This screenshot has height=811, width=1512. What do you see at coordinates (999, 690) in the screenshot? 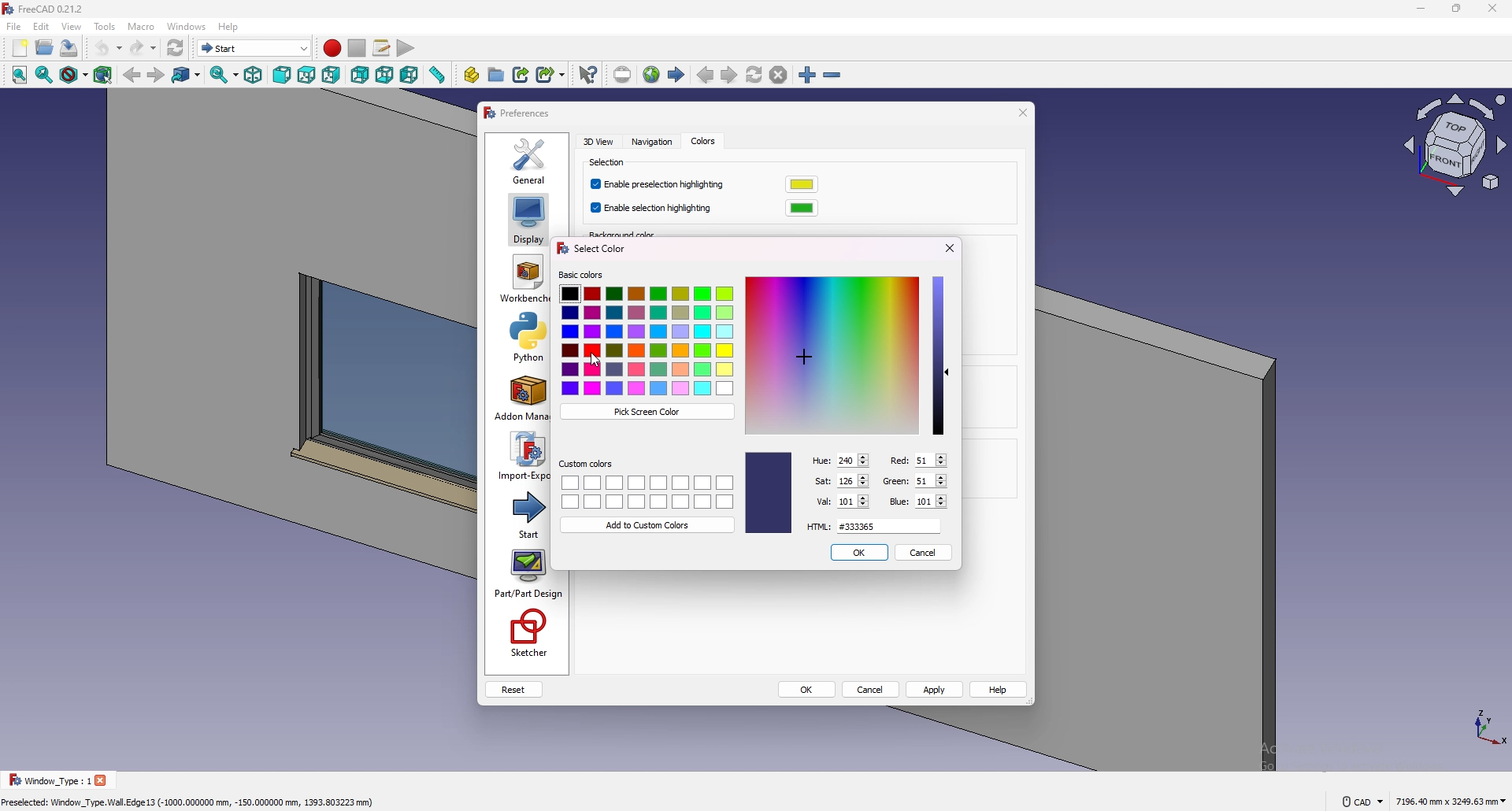
I see `help` at bounding box center [999, 690].